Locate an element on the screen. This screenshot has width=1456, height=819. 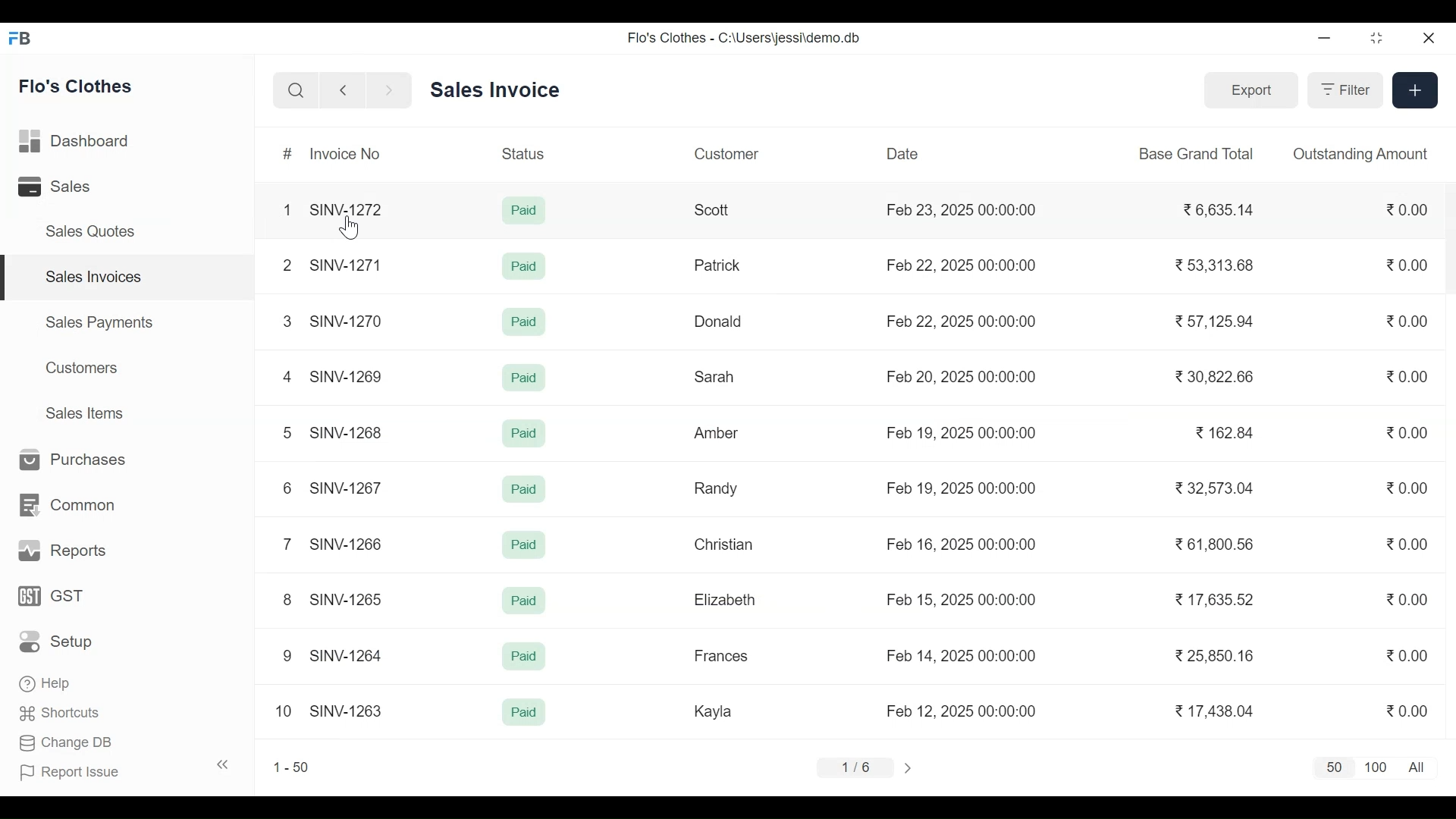
5 is located at coordinates (288, 432).